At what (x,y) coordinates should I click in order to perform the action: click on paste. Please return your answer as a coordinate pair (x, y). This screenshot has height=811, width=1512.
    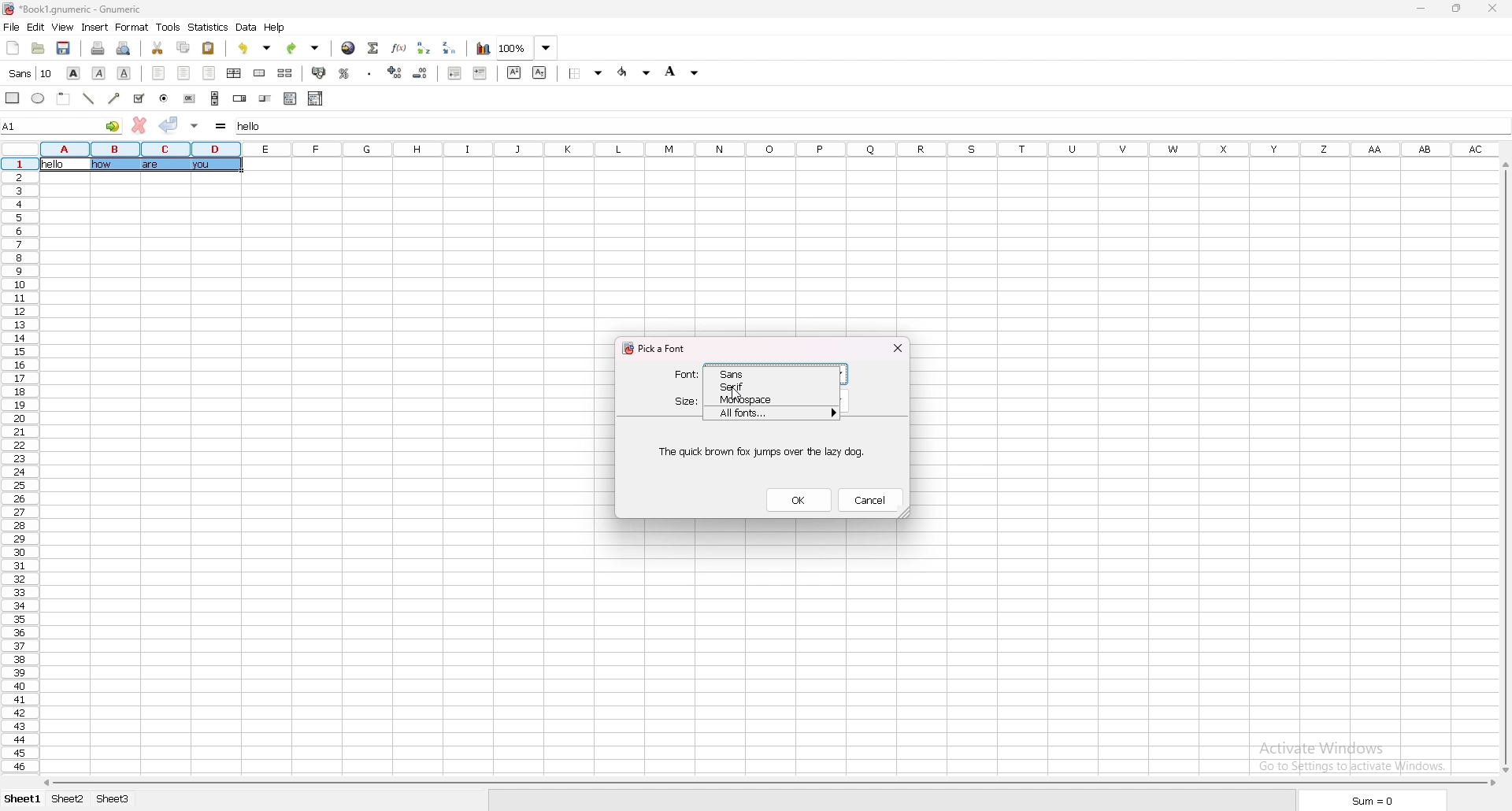
    Looking at the image, I should click on (209, 47).